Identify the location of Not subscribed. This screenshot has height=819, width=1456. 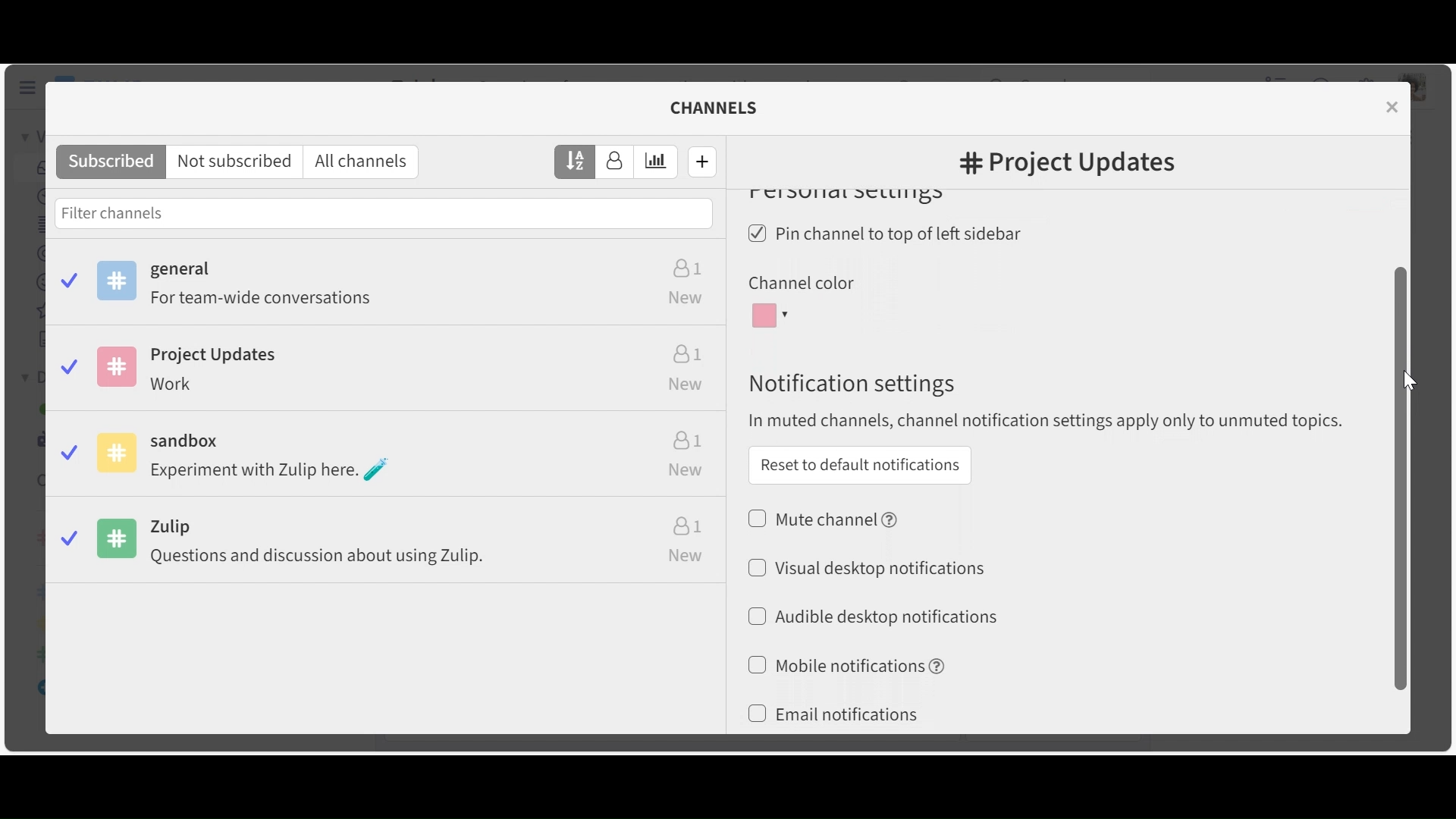
(237, 162).